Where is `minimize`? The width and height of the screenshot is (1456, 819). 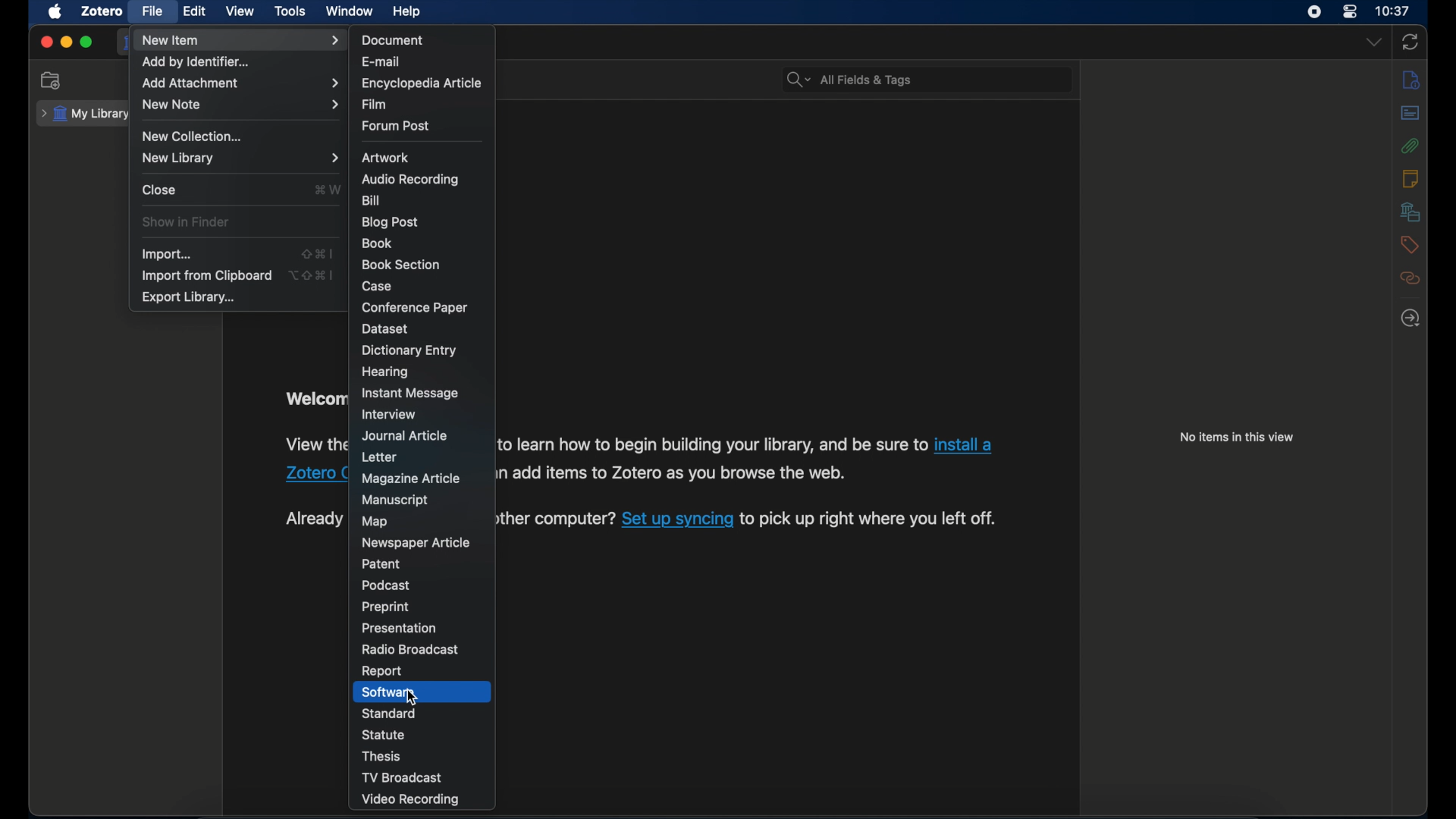 minimize is located at coordinates (65, 43).